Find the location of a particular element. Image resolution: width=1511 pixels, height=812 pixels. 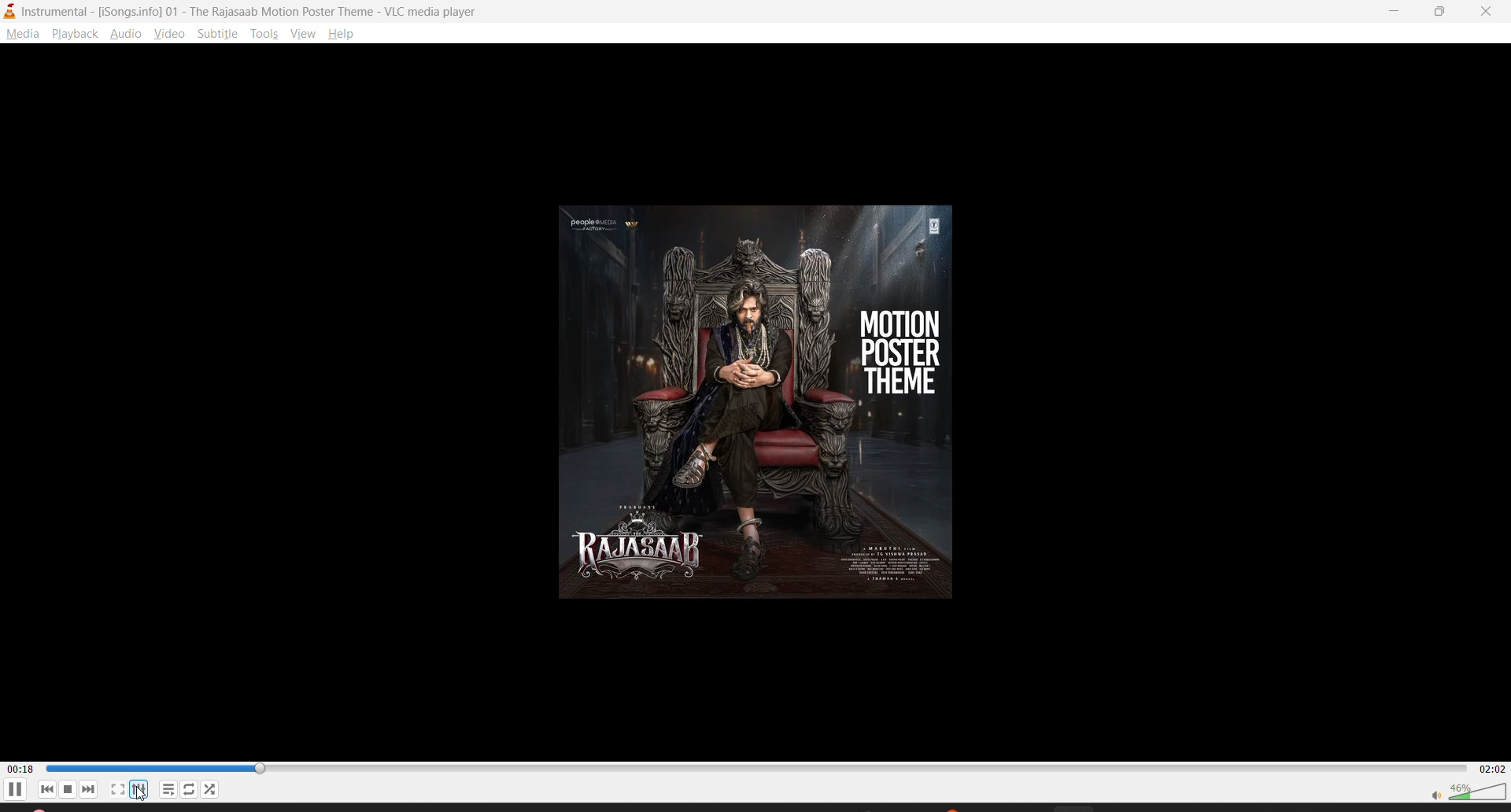

close is located at coordinates (1488, 12).